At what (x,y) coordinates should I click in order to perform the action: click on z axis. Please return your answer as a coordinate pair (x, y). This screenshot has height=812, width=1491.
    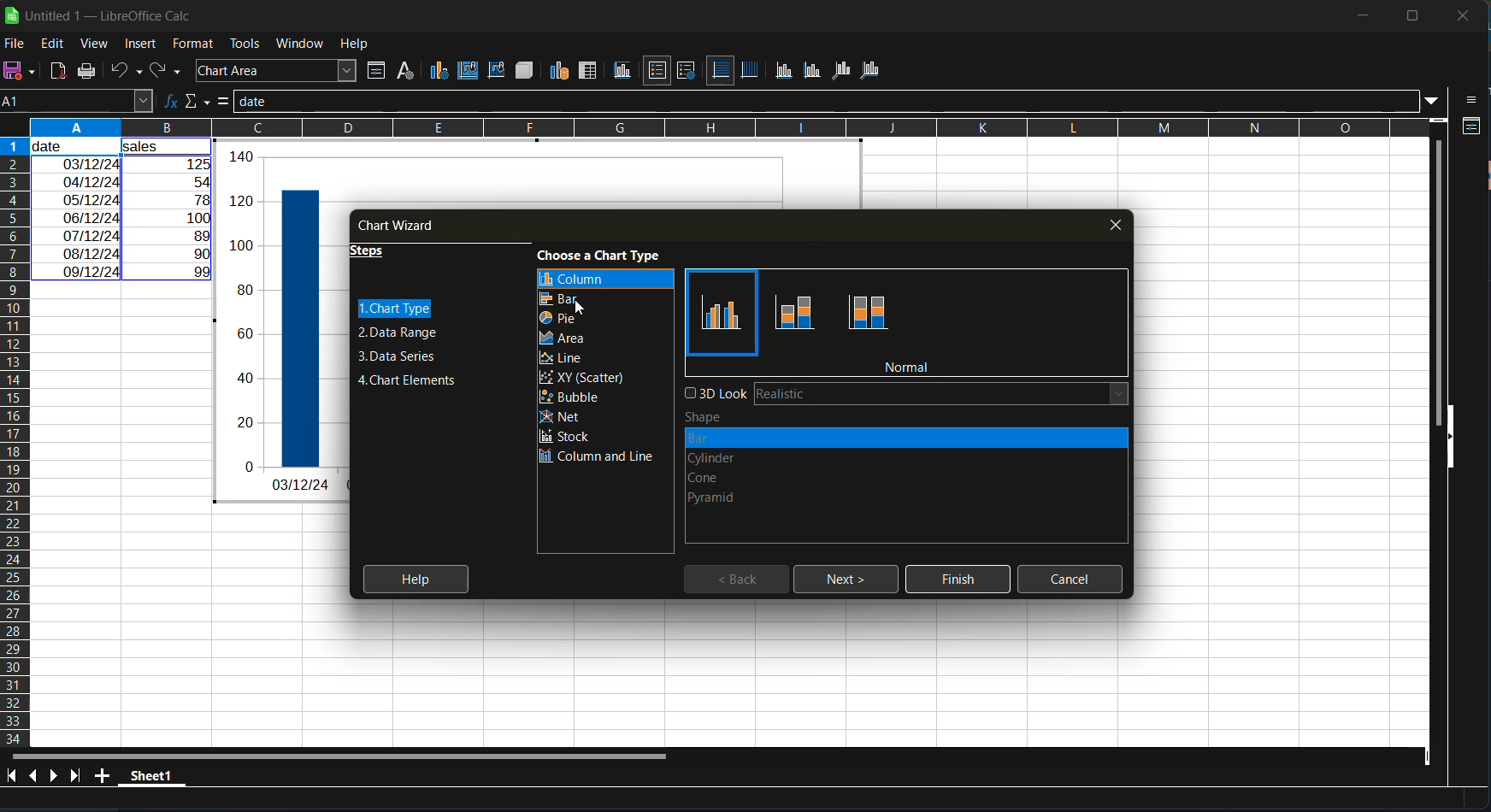
    Looking at the image, I should click on (840, 68).